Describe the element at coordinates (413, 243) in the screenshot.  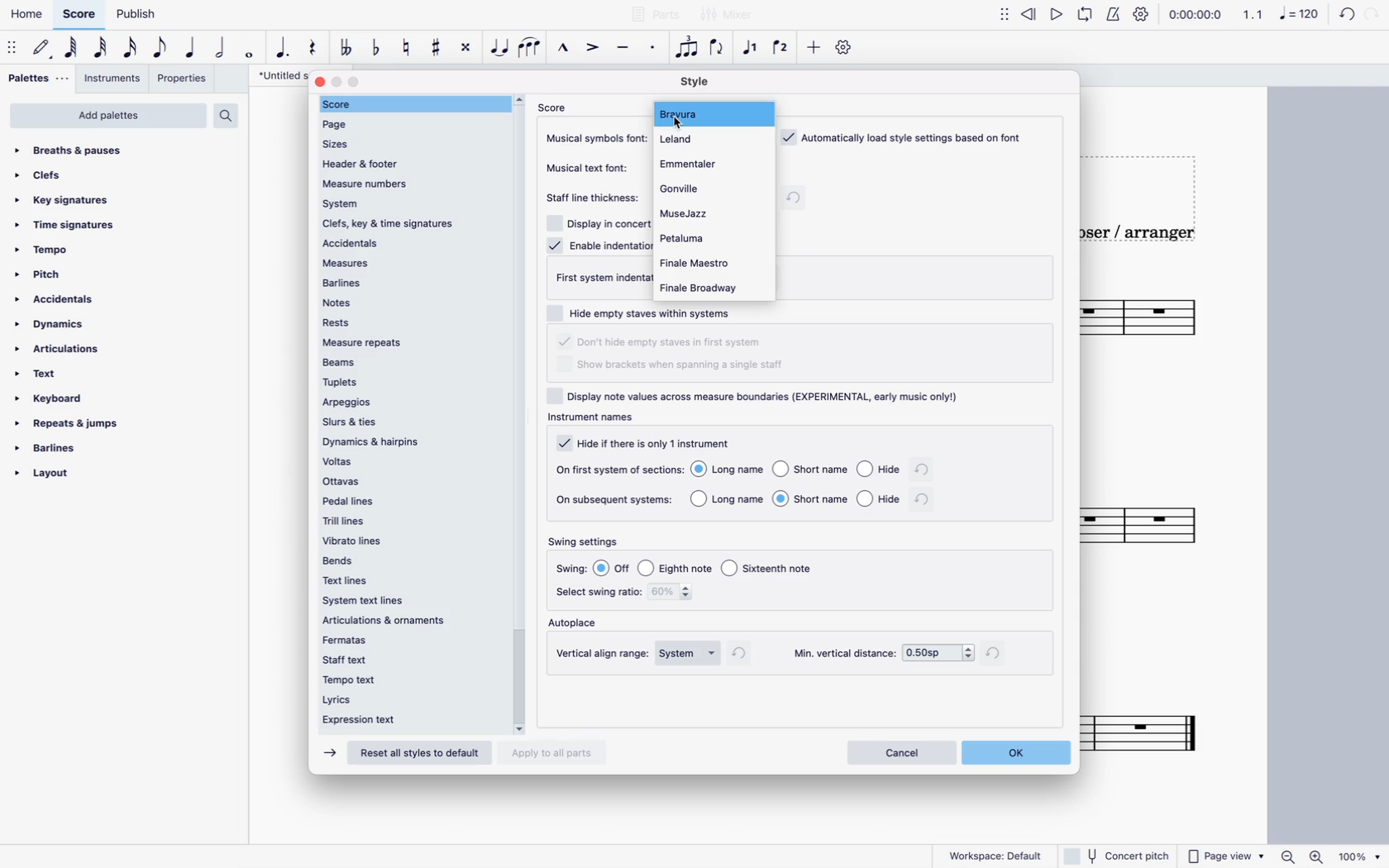
I see `accidentals` at that location.